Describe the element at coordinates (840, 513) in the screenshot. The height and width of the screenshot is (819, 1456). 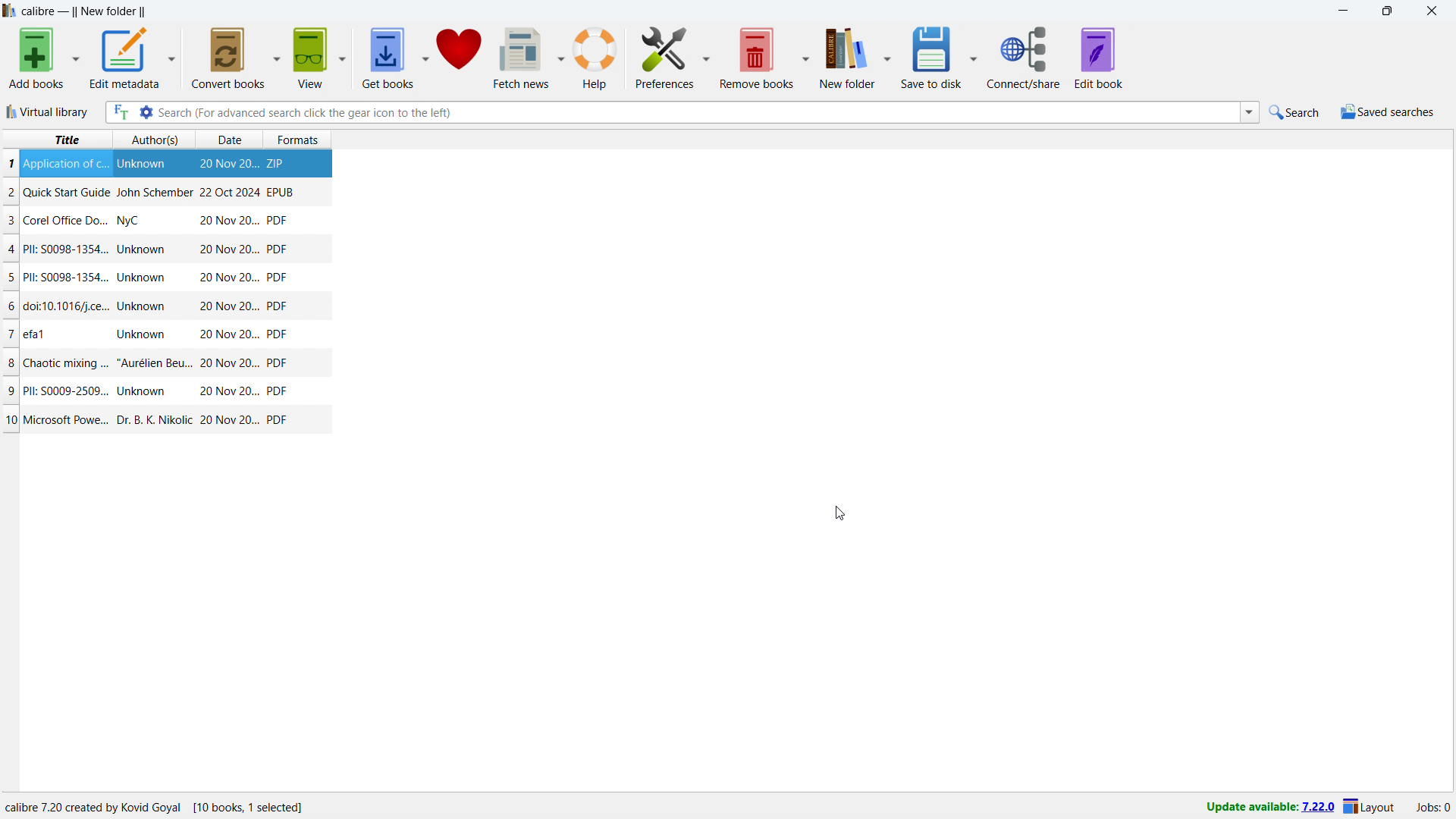
I see `cursor` at that location.